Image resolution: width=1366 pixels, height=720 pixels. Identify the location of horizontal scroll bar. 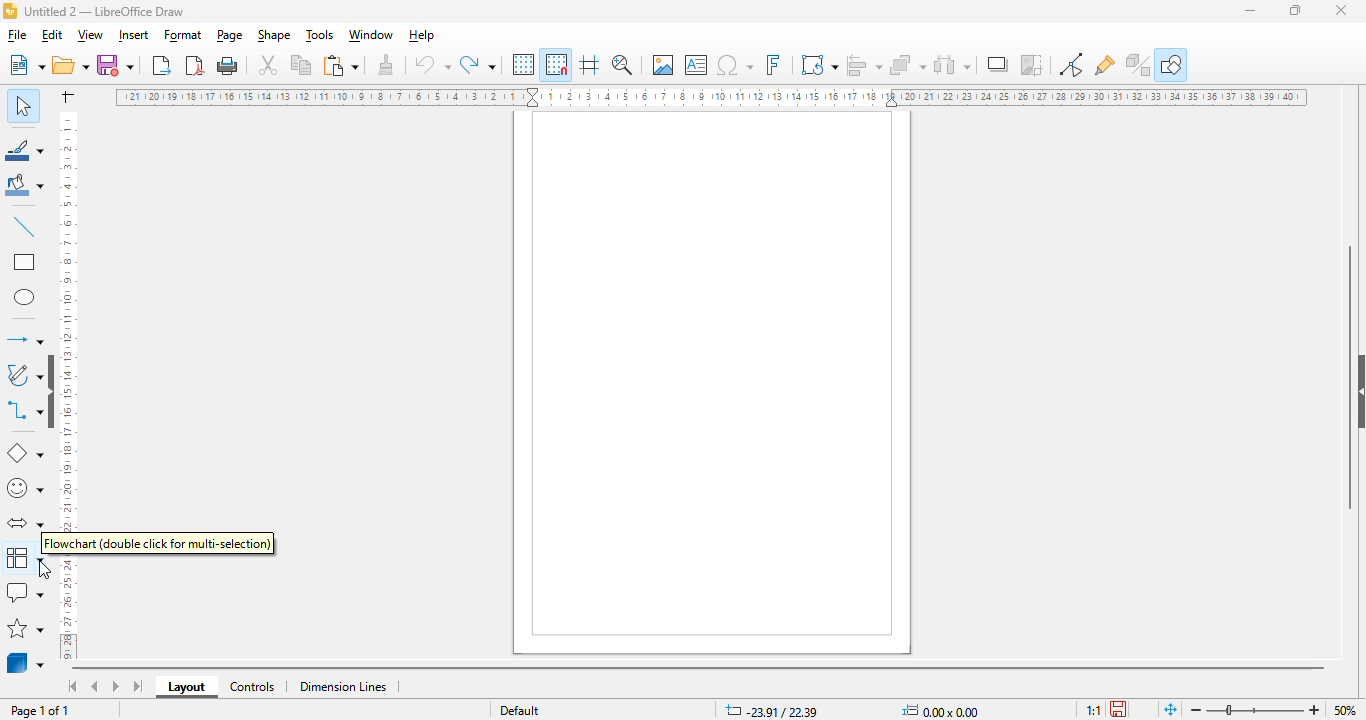
(702, 669).